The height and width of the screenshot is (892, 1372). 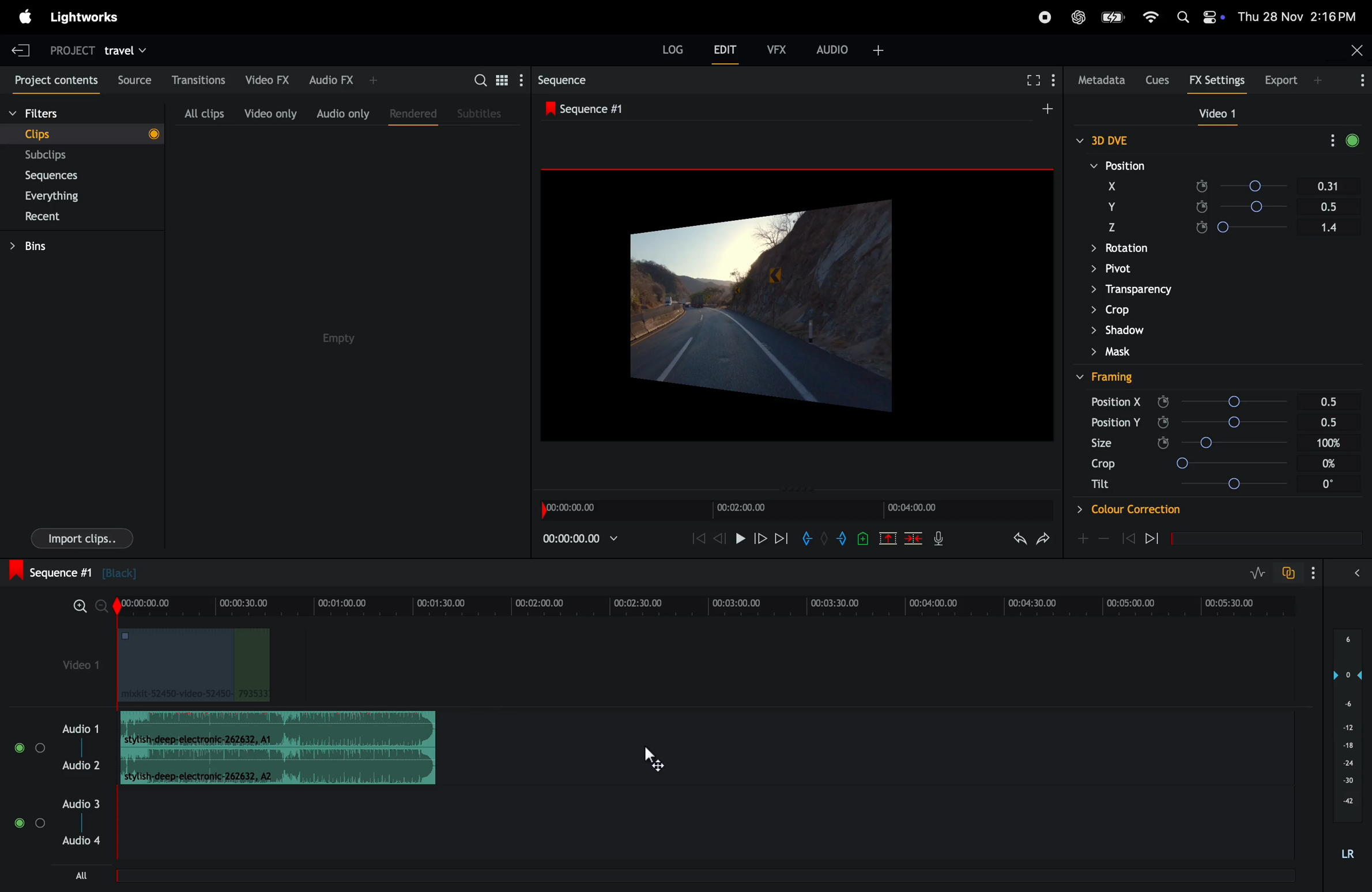 What do you see at coordinates (726, 52) in the screenshot?
I see `edit` at bounding box center [726, 52].